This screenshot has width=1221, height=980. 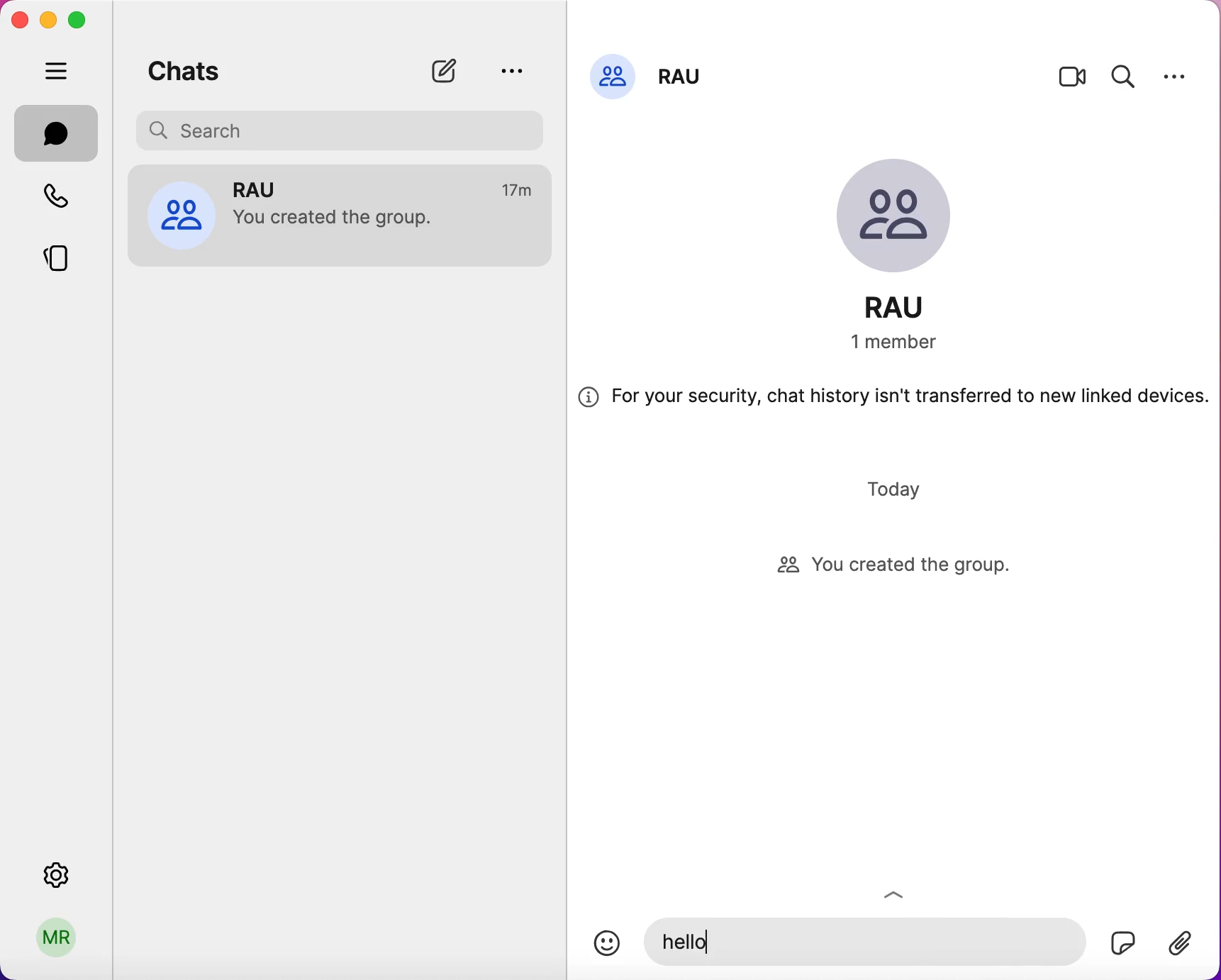 I want to click on 16m, so click(x=519, y=191).